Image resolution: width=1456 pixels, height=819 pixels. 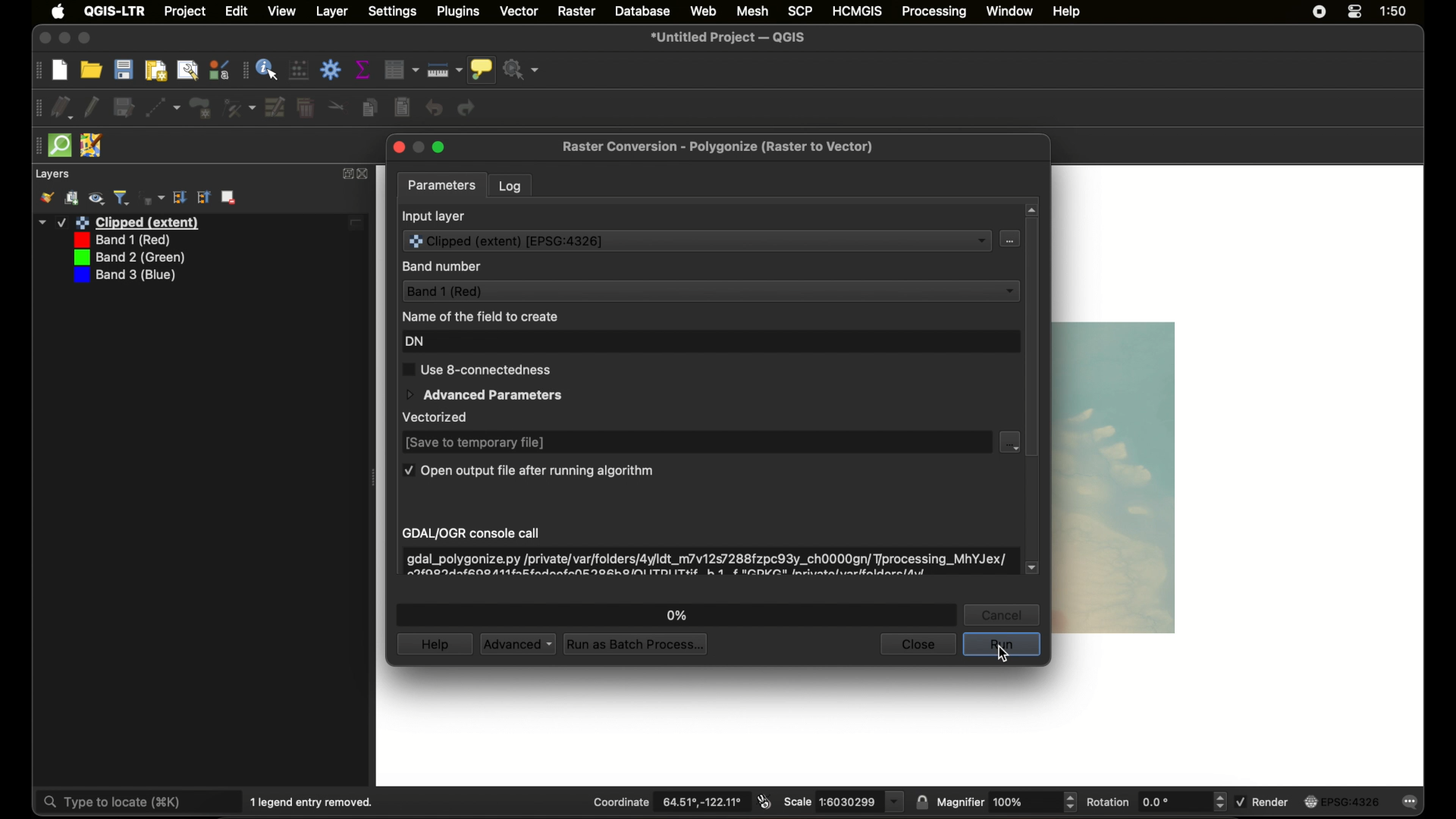 What do you see at coordinates (1032, 210) in the screenshot?
I see `scroll up arrow` at bounding box center [1032, 210].